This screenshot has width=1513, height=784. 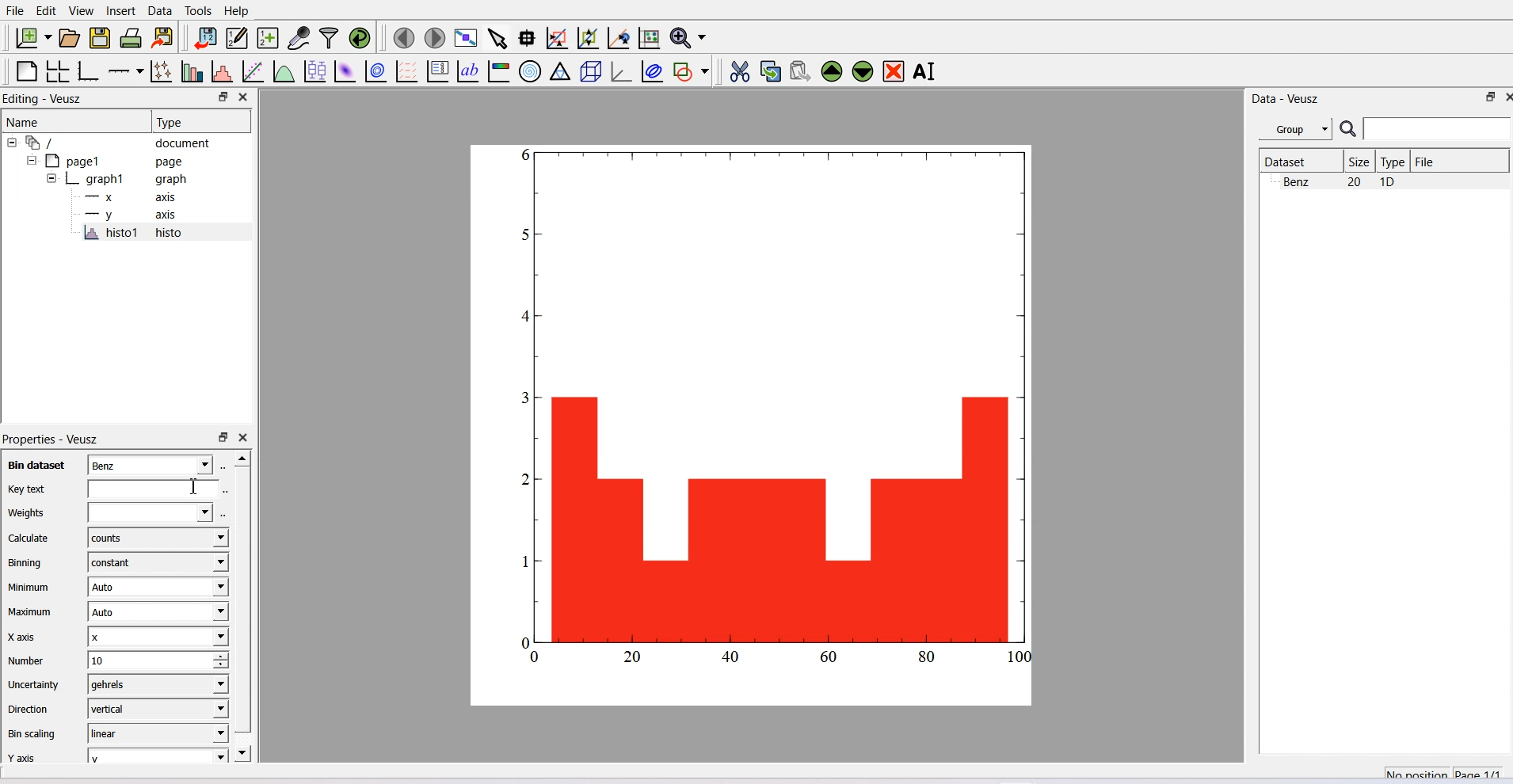 What do you see at coordinates (115, 659) in the screenshot?
I see `Number - 10` at bounding box center [115, 659].